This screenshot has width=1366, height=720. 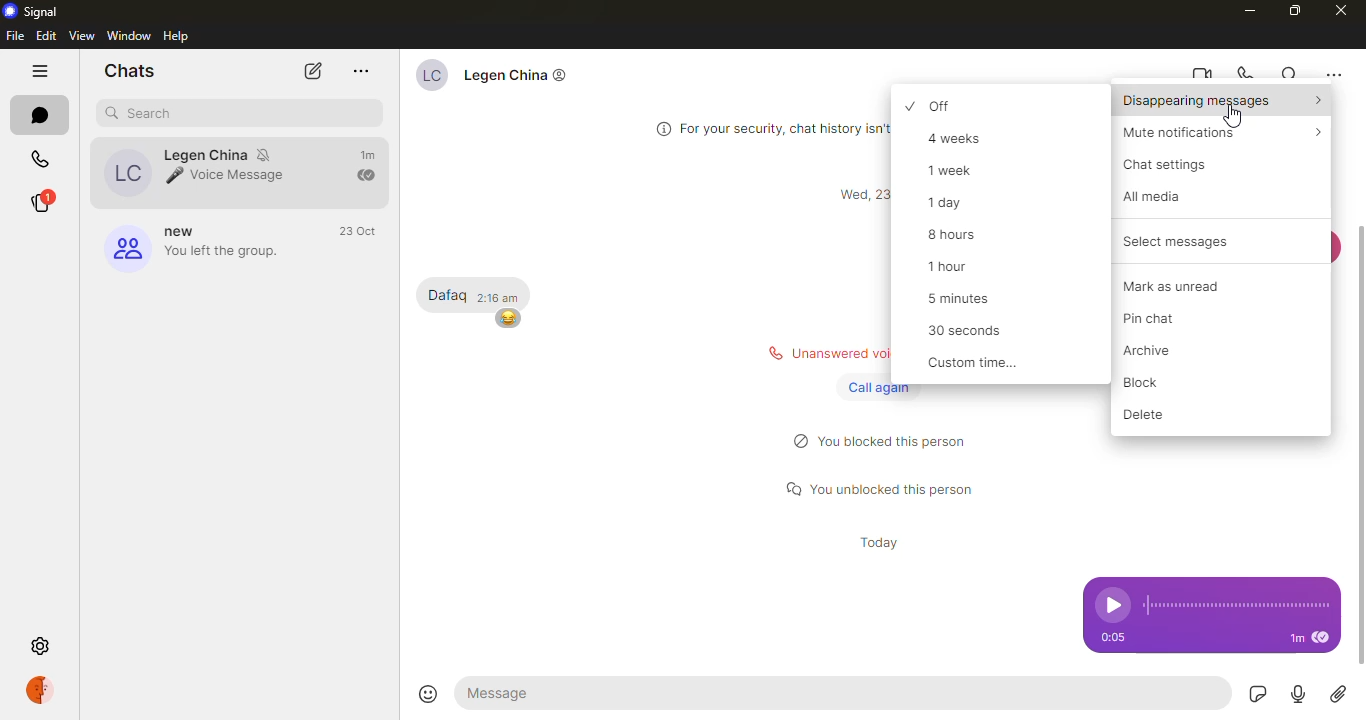 I want to click on time, so click(x=1111, y=637).